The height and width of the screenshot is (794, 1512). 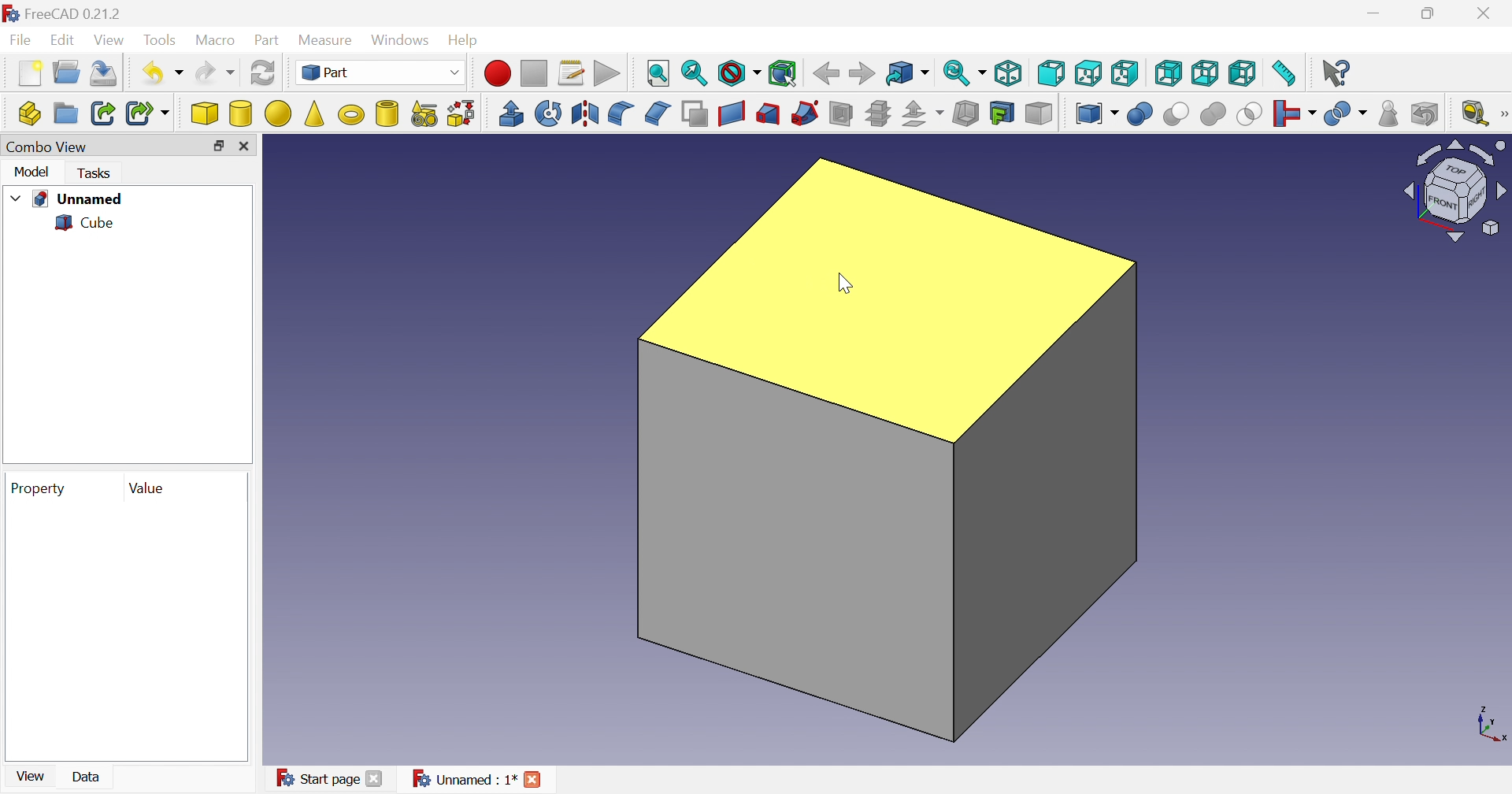 I want to click on Measure distance, so click(x=1284, y=76).